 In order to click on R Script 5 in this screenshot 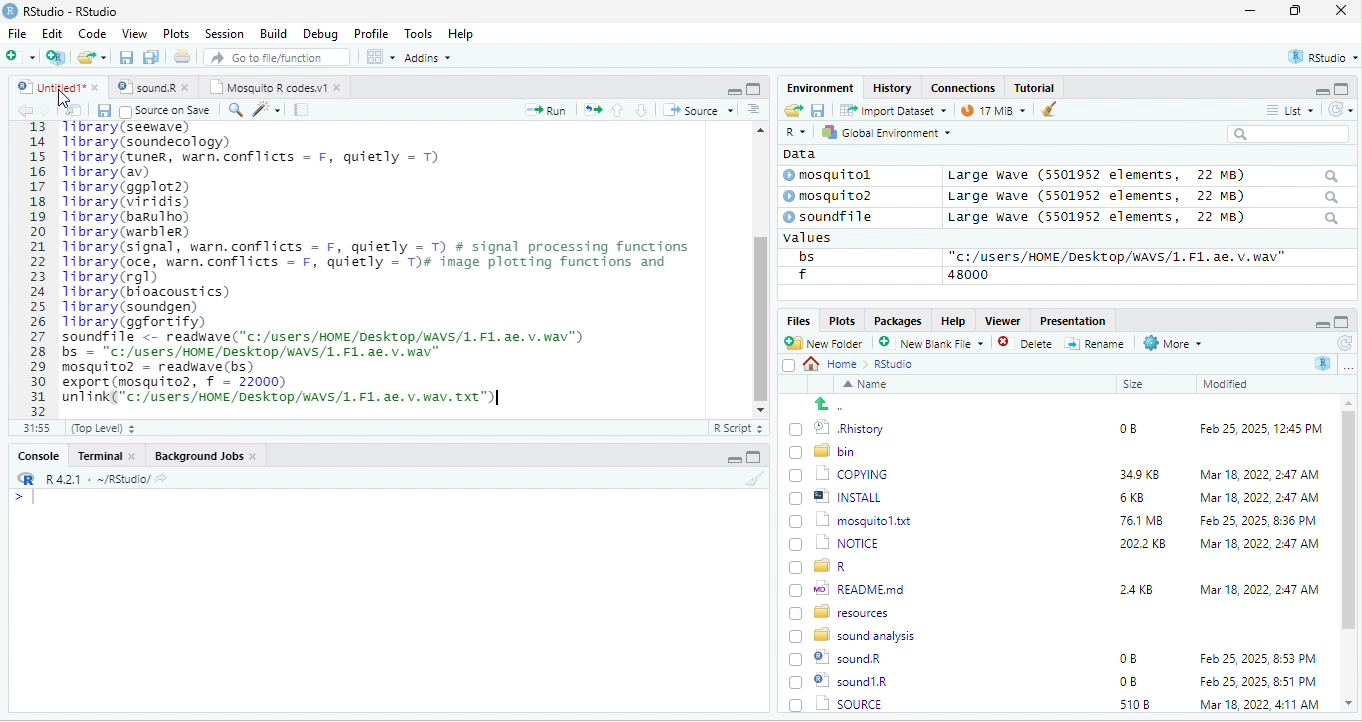, I will do `click(739, 428)`.